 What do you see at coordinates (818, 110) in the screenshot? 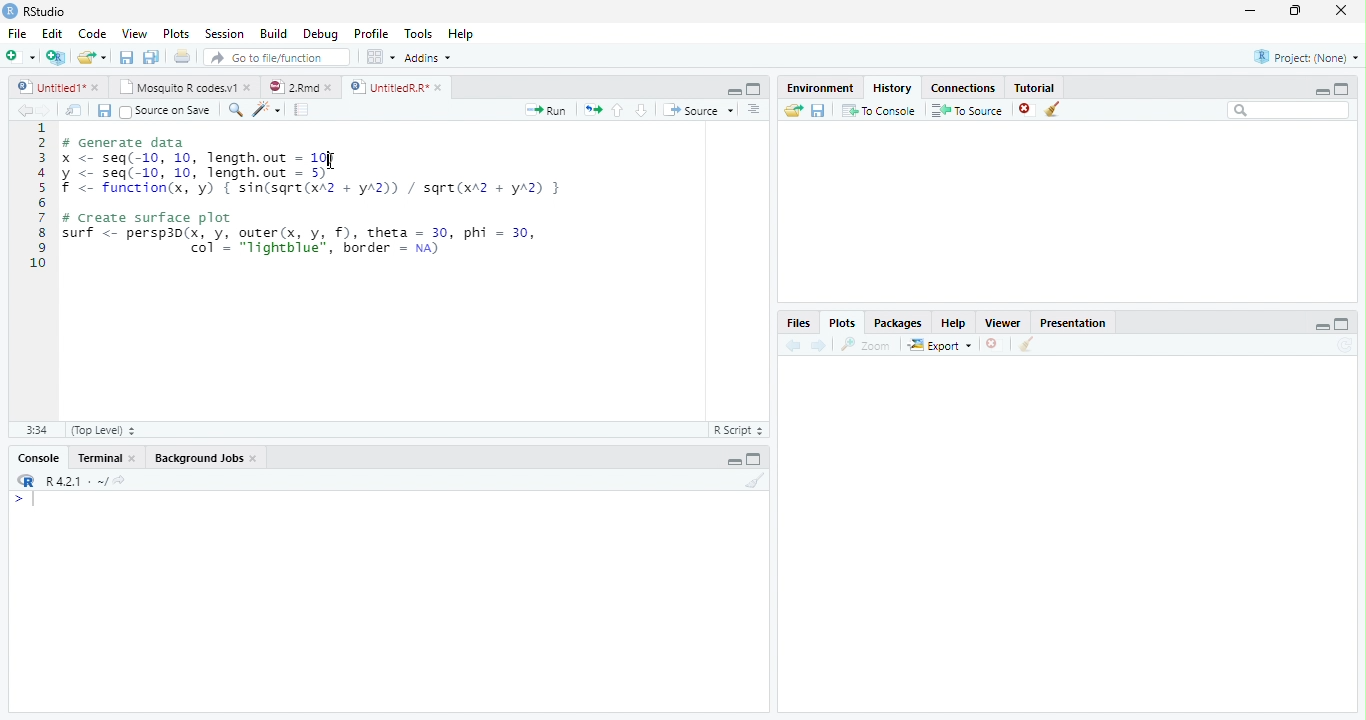
I see `Save history into a file` at bounding box center [818, 110].